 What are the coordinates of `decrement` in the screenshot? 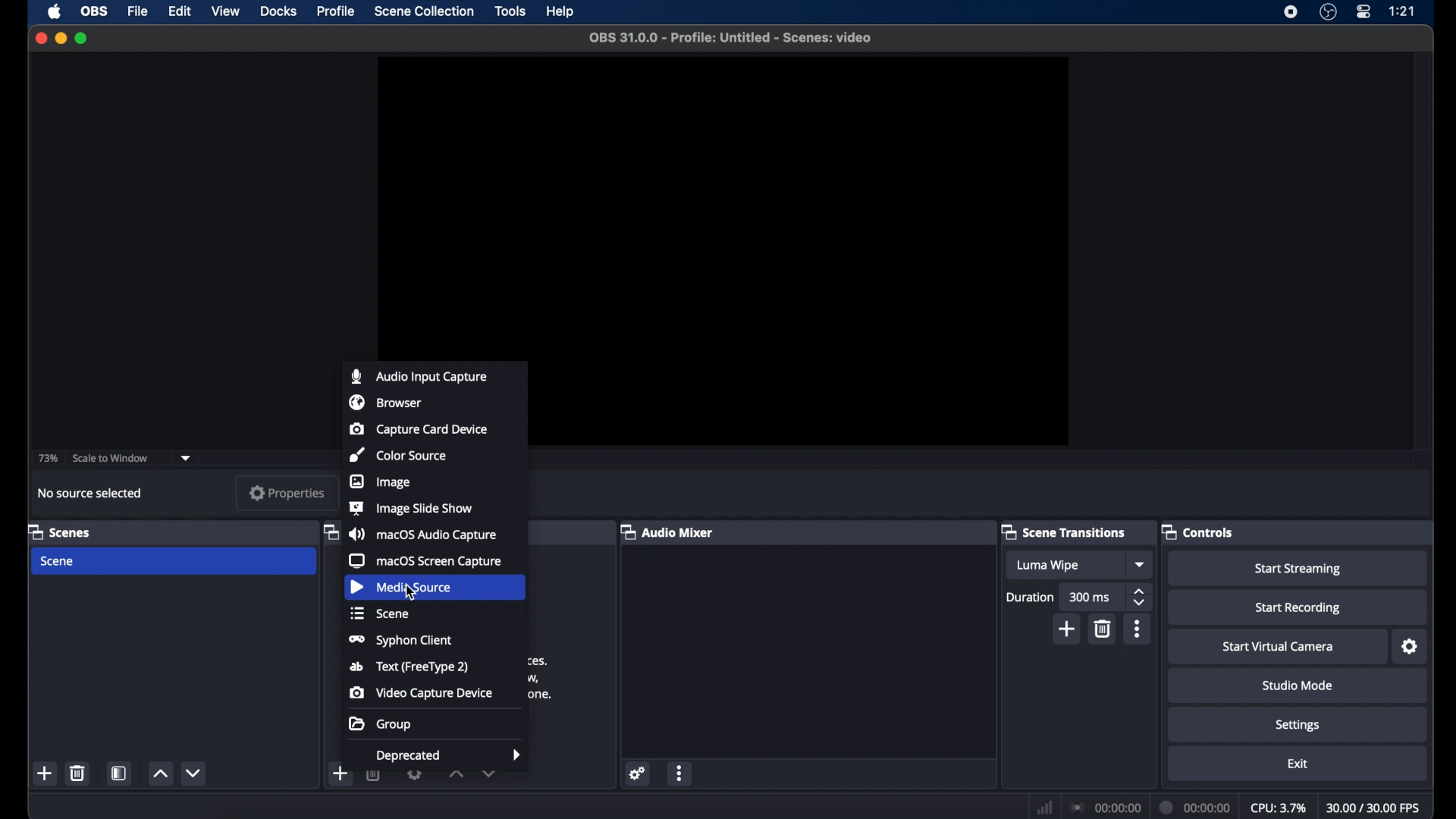 It's located at (195, 773).